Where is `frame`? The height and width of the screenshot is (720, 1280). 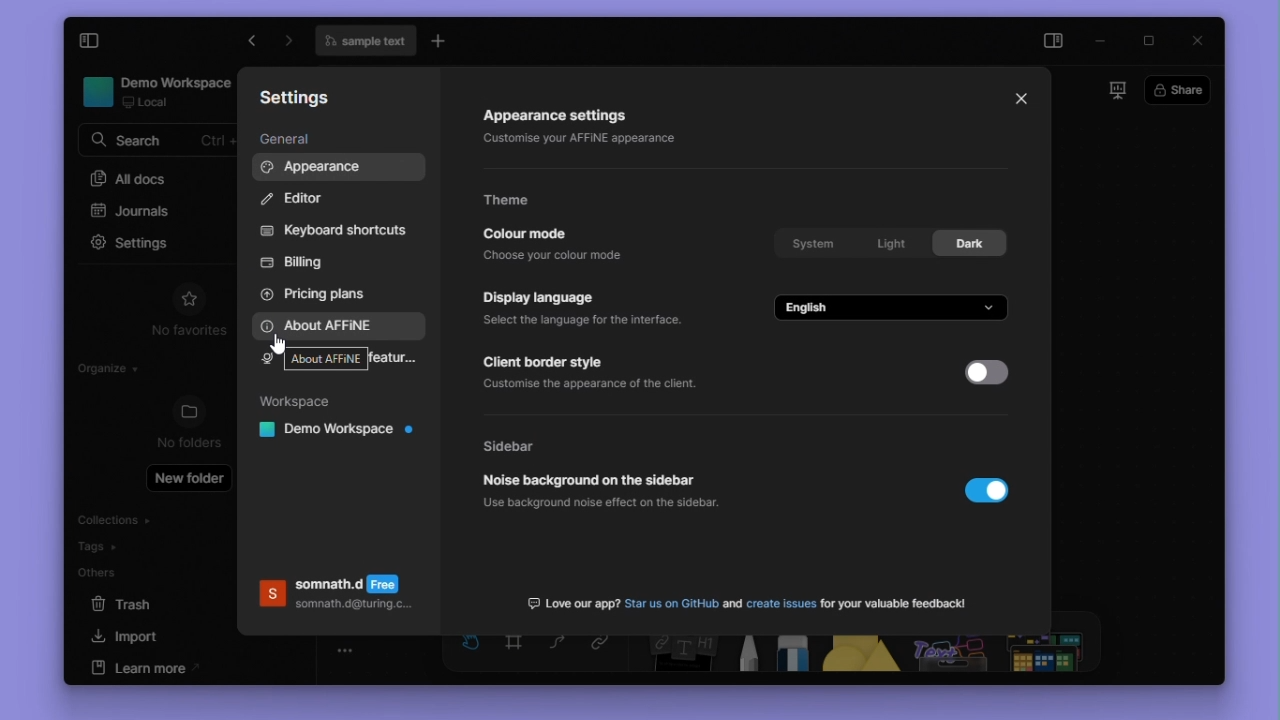 frame is located at coordinates (513, 654).